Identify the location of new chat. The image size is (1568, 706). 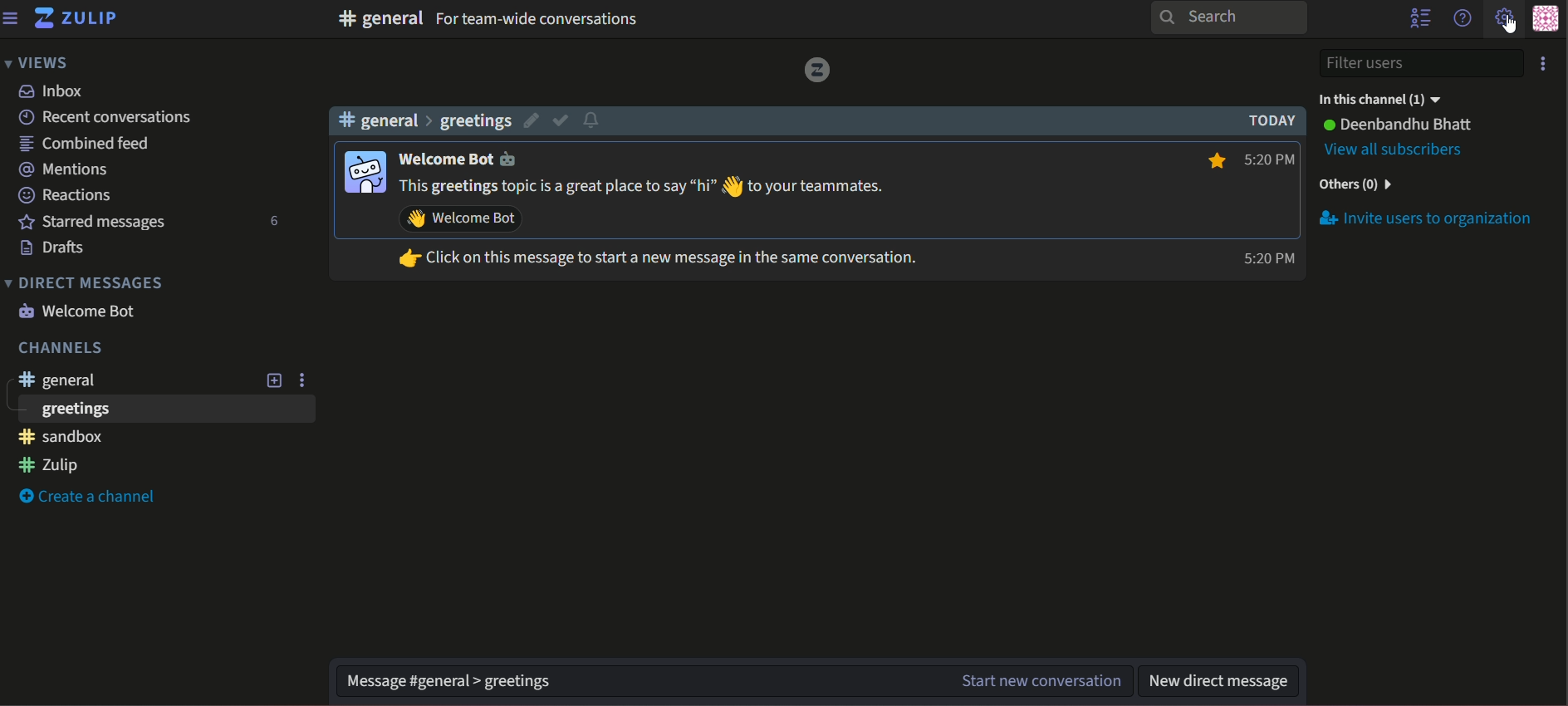
(1037, 681).